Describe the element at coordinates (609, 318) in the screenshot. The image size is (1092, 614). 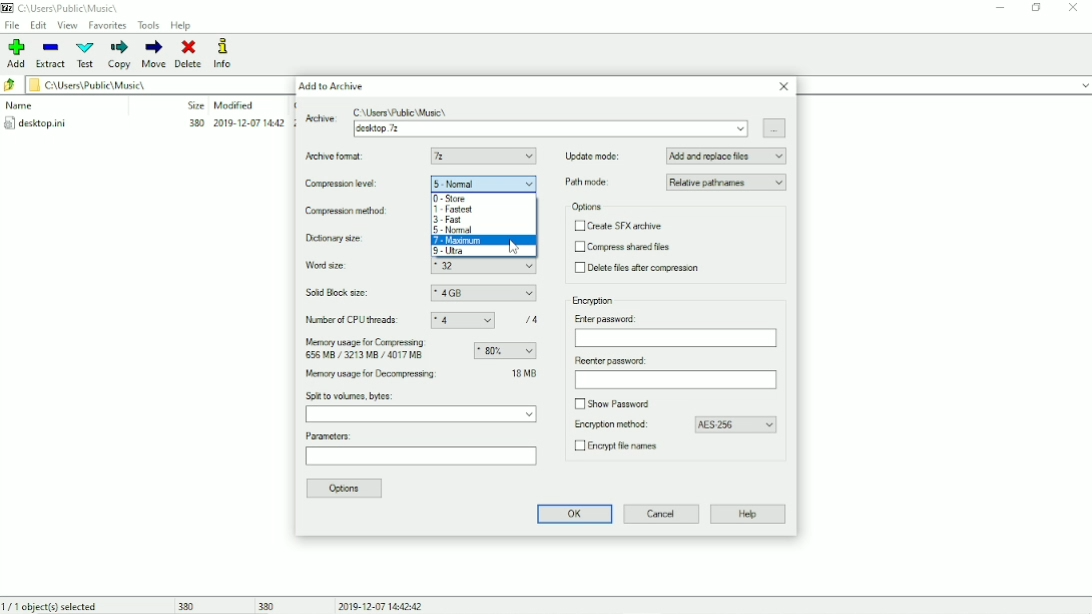
I see `Enter password` at that location.